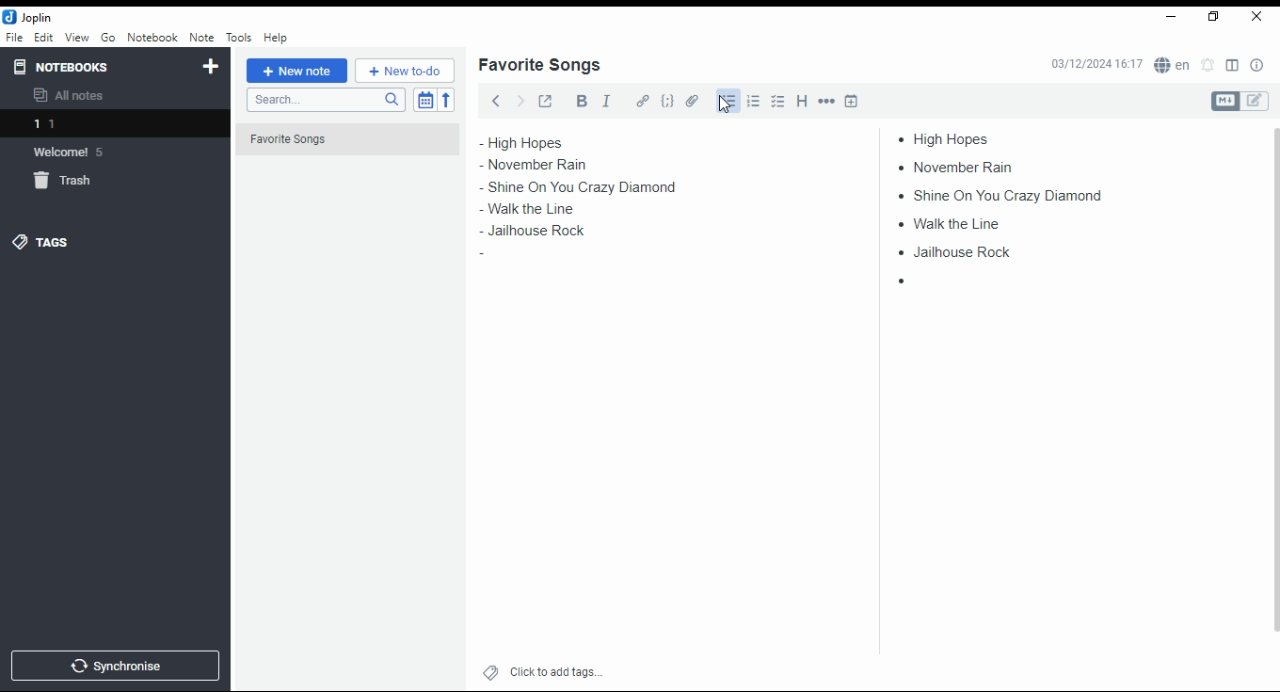 The width and height of the screenshot is (1280, 692). I want to click on november rain, so click(962, 166).